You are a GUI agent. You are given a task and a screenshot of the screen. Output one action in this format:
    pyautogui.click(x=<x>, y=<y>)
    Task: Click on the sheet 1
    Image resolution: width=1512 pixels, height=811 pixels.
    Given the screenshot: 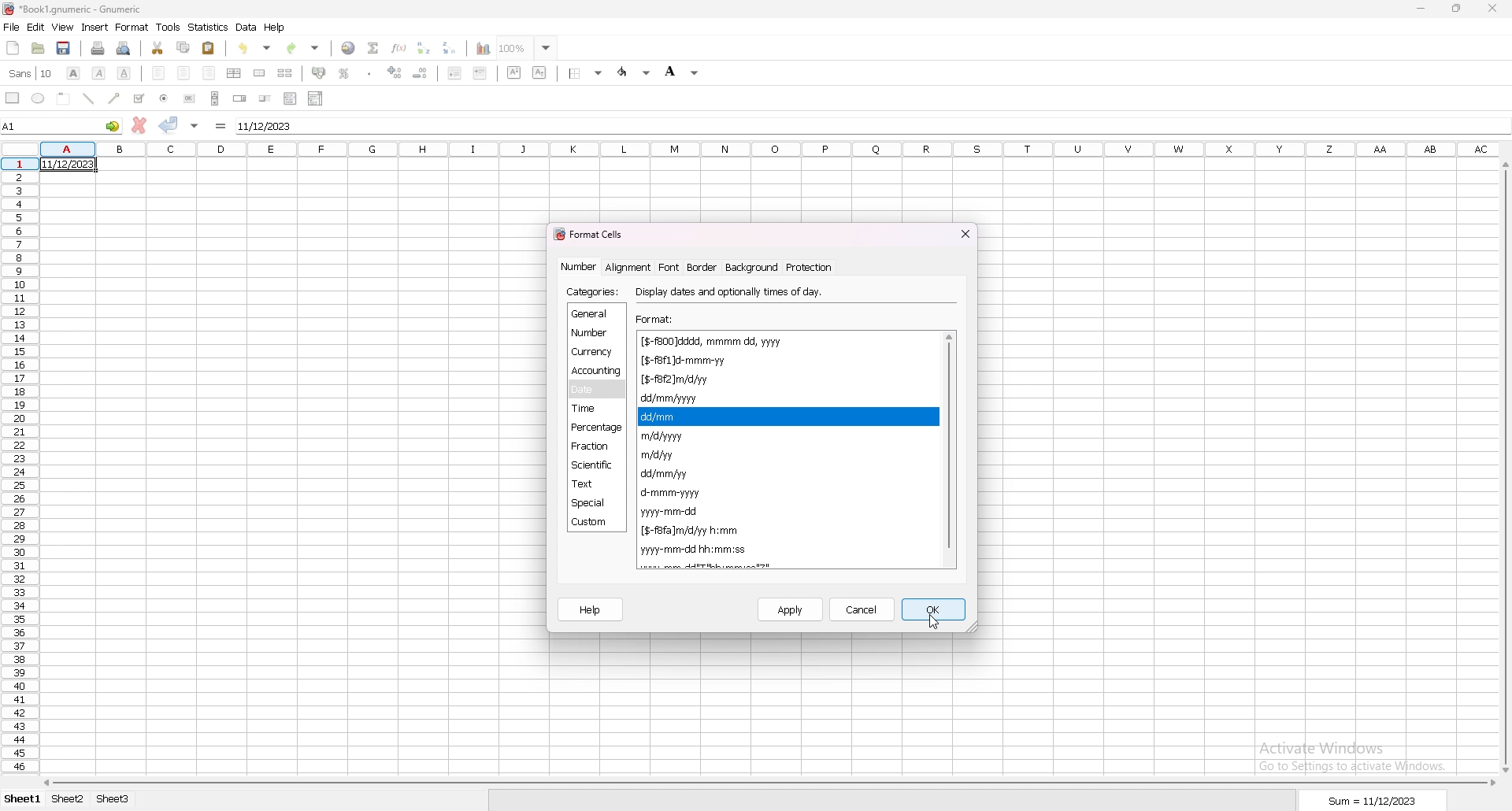 What is the action you would take?
    pyautogui.click(x=24, y=799)
    